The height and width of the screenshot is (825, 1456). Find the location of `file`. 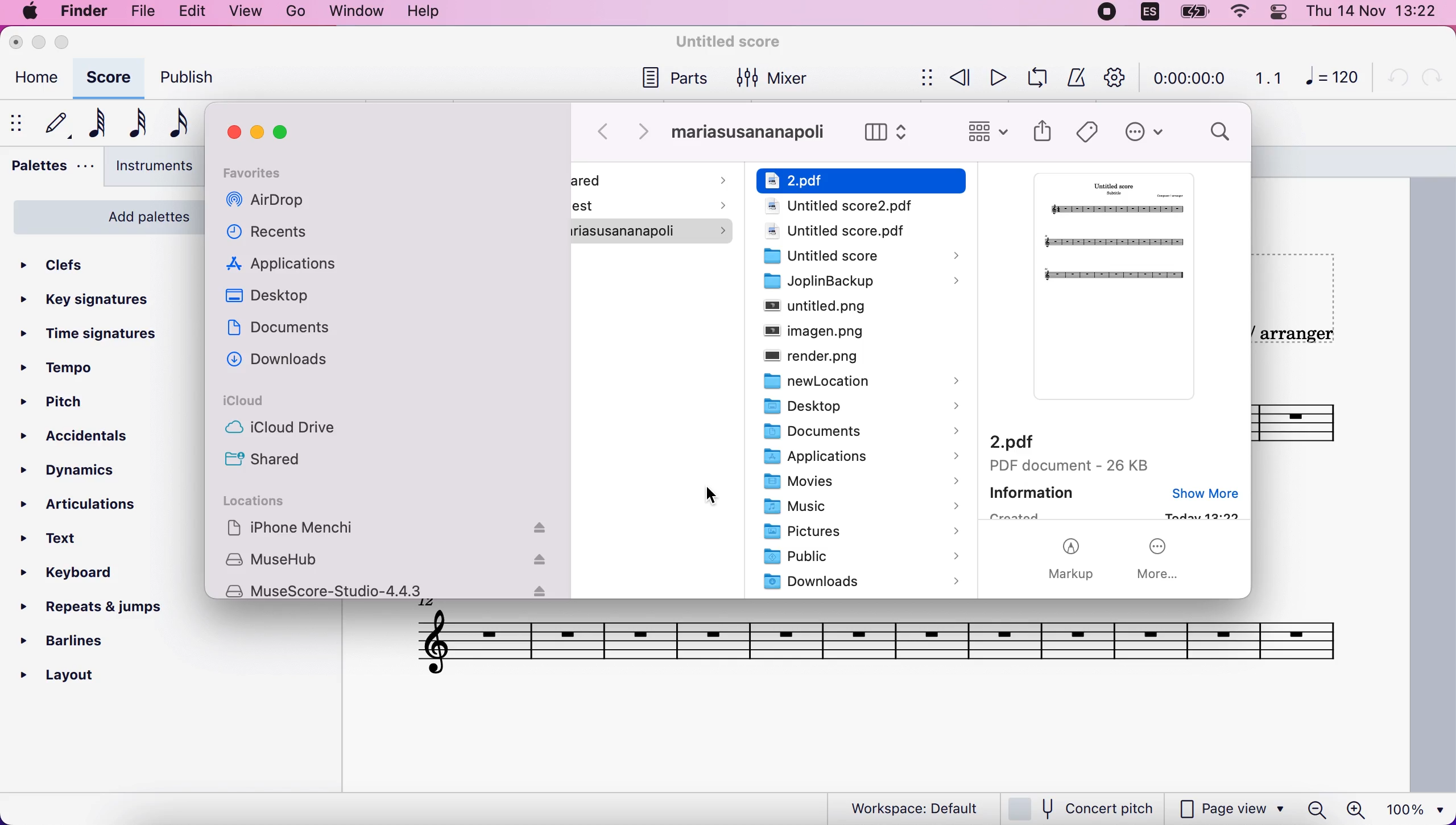

file is located at coordinates (148, 14).